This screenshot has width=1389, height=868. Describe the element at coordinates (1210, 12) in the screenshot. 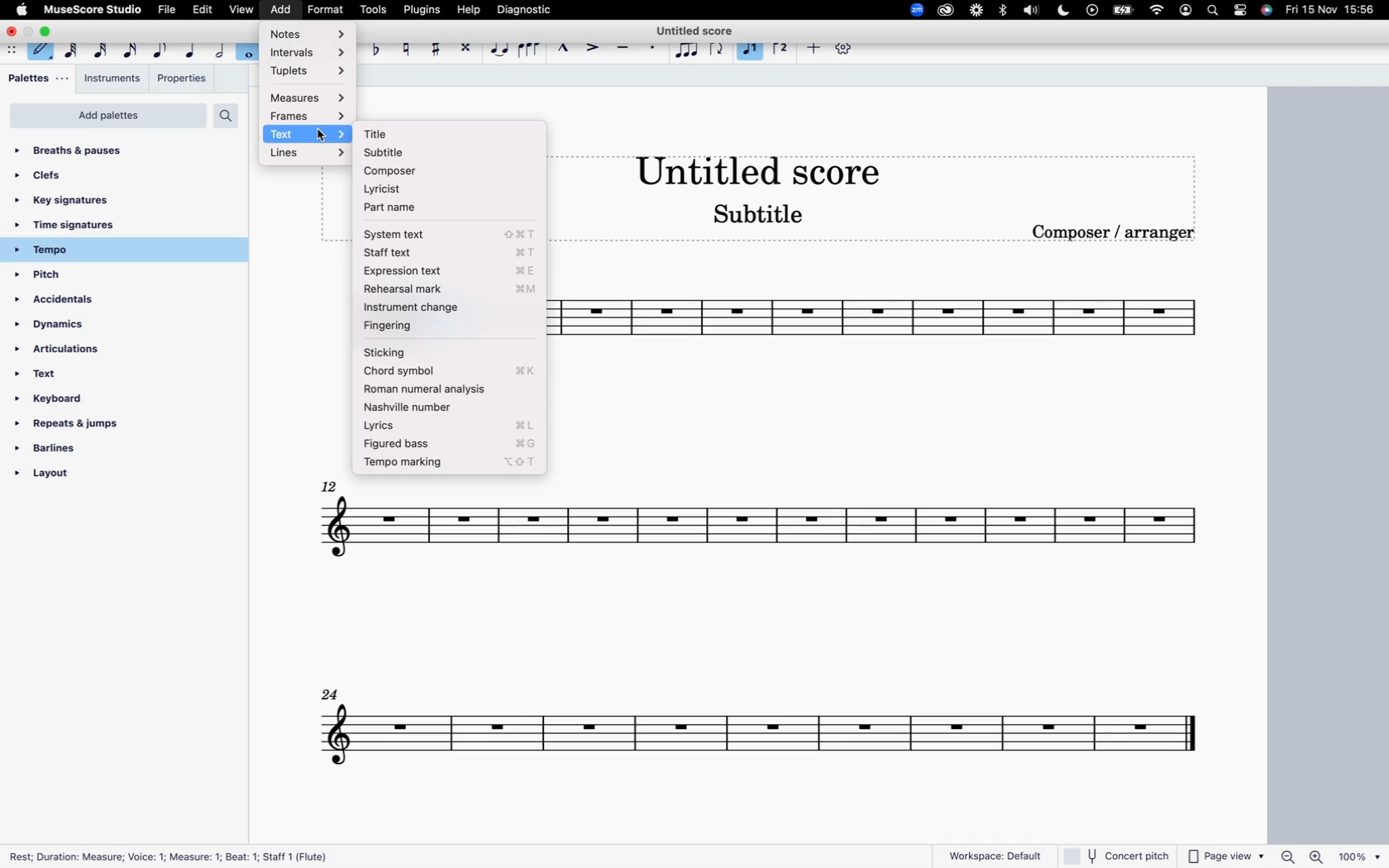

I see `search` at that location.